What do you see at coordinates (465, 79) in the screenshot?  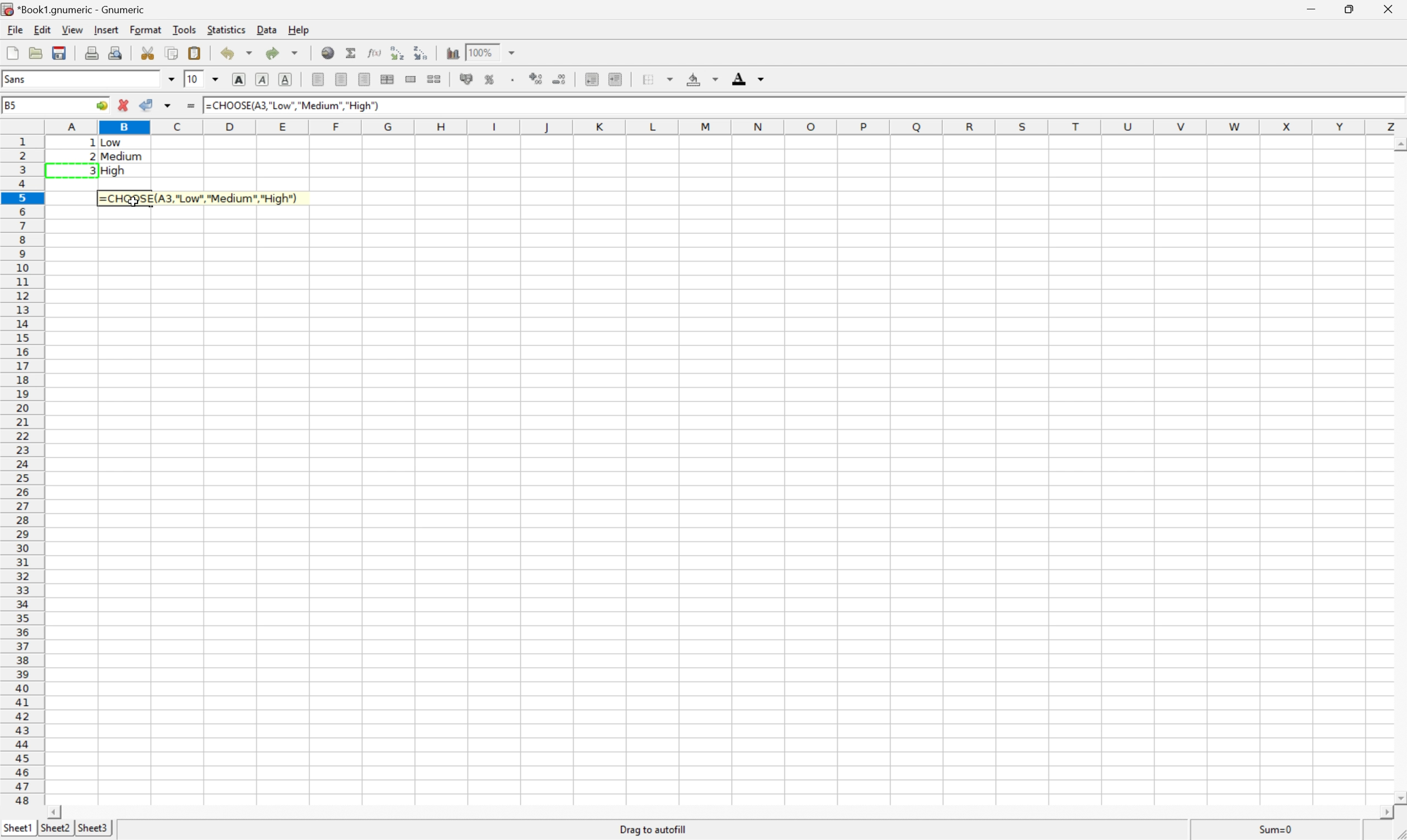 I see `Format the selection as accounting` at bounding box center [465, 79].